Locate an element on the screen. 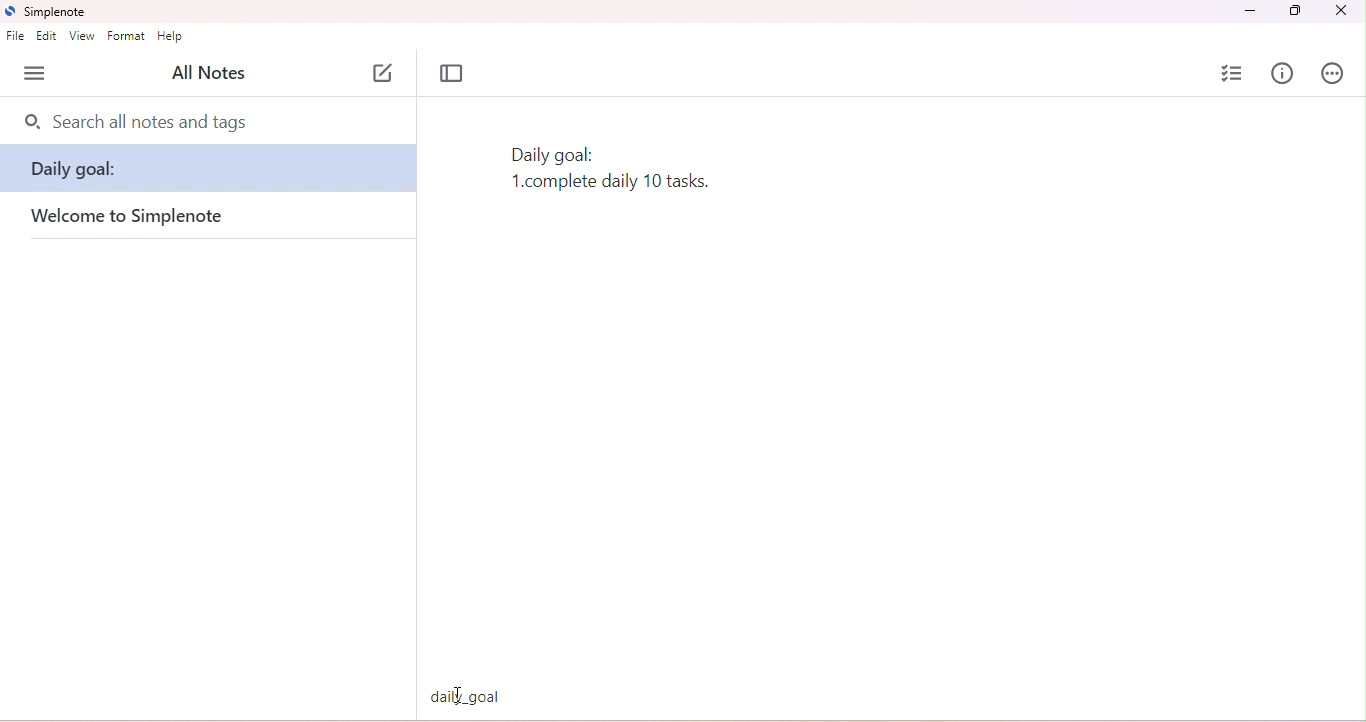 This screenshot has width=1366, height=722. toggle focus mode is located at coordinates (454, 74).